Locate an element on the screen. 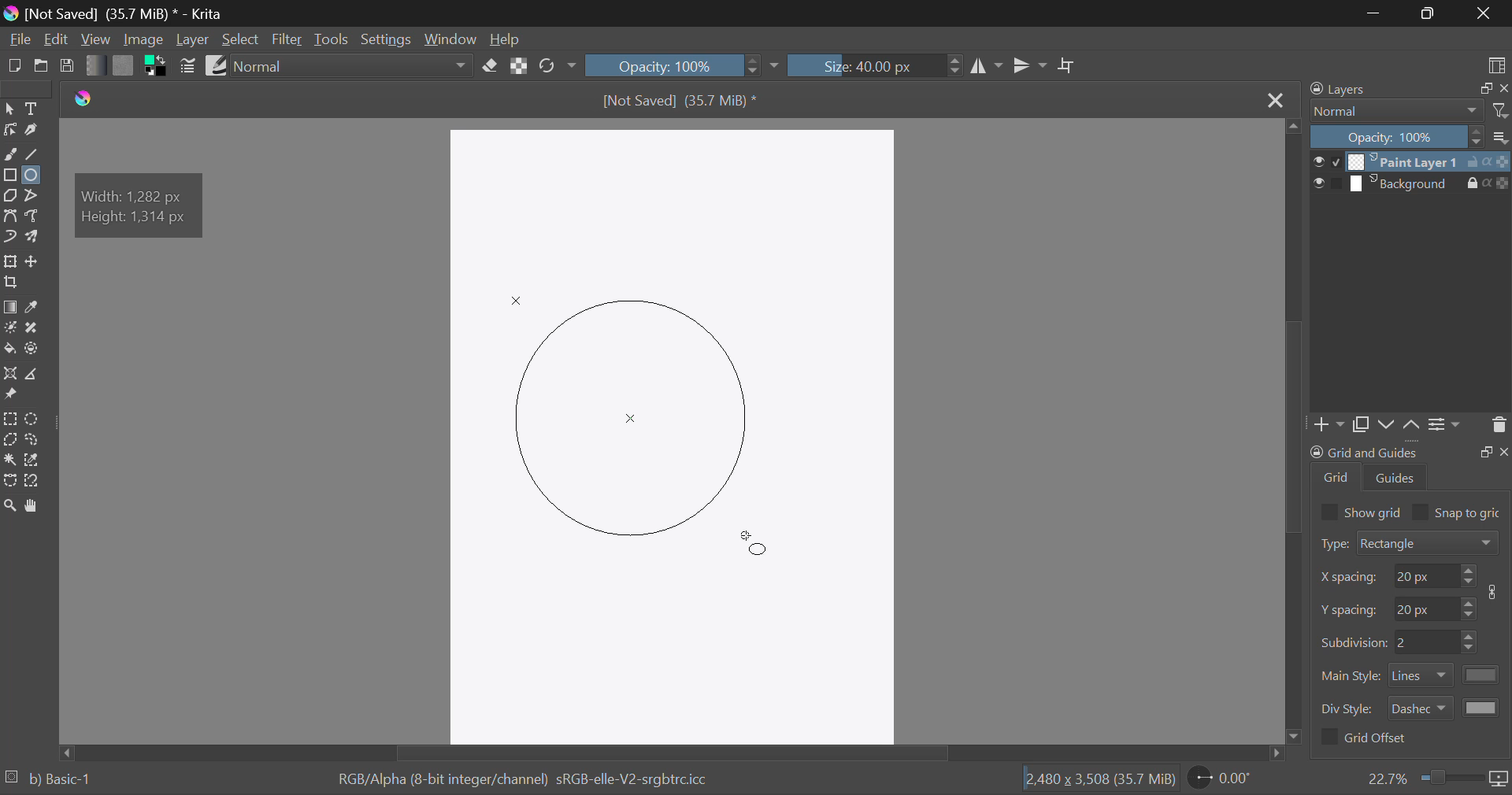 This screenshot has width=1512, height=795. Tools is located at coordinates (332, 39).